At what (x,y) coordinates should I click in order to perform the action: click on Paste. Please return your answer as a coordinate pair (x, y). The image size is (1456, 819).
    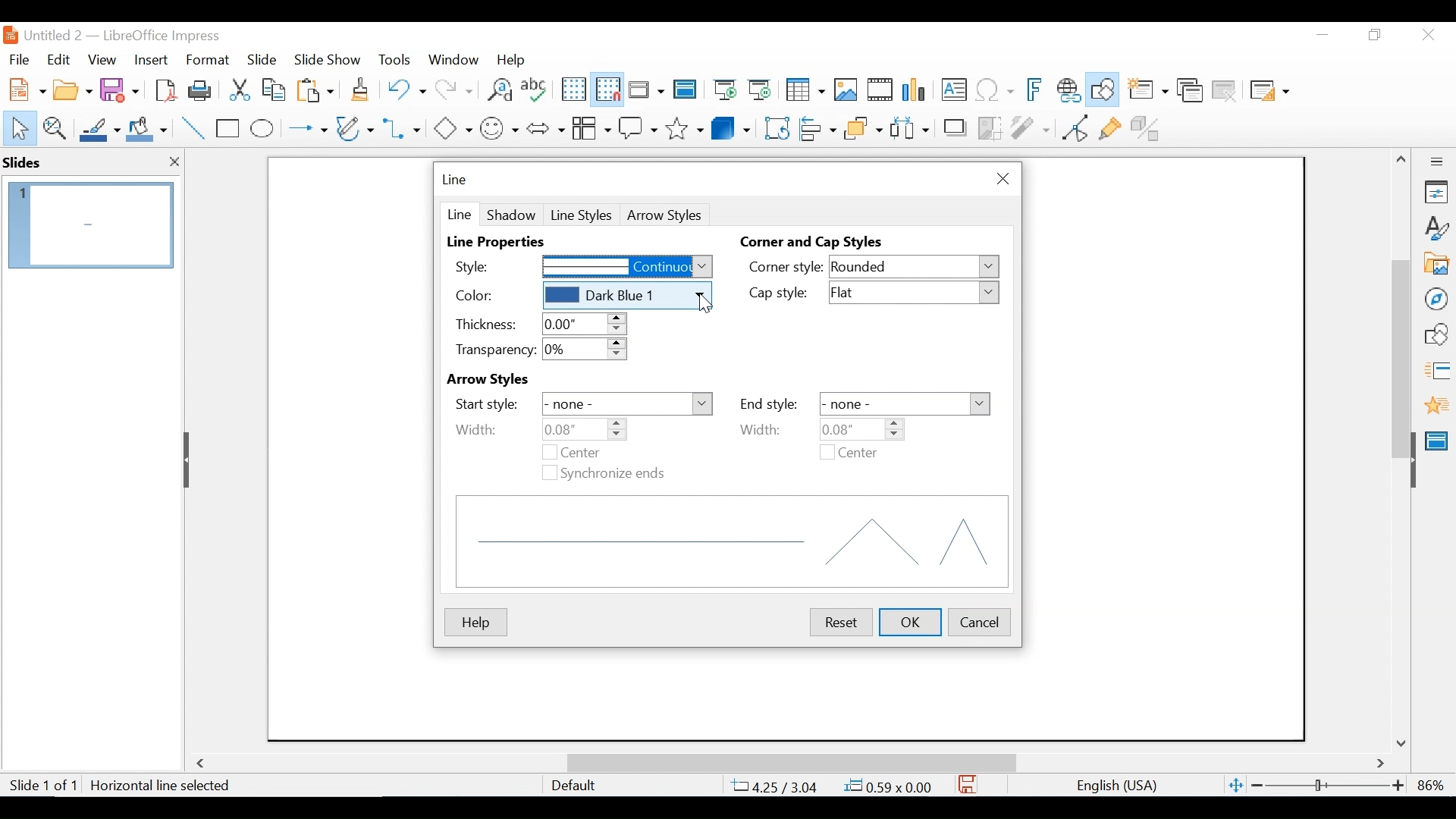
    Looking at the image, I should click on (319, 89).